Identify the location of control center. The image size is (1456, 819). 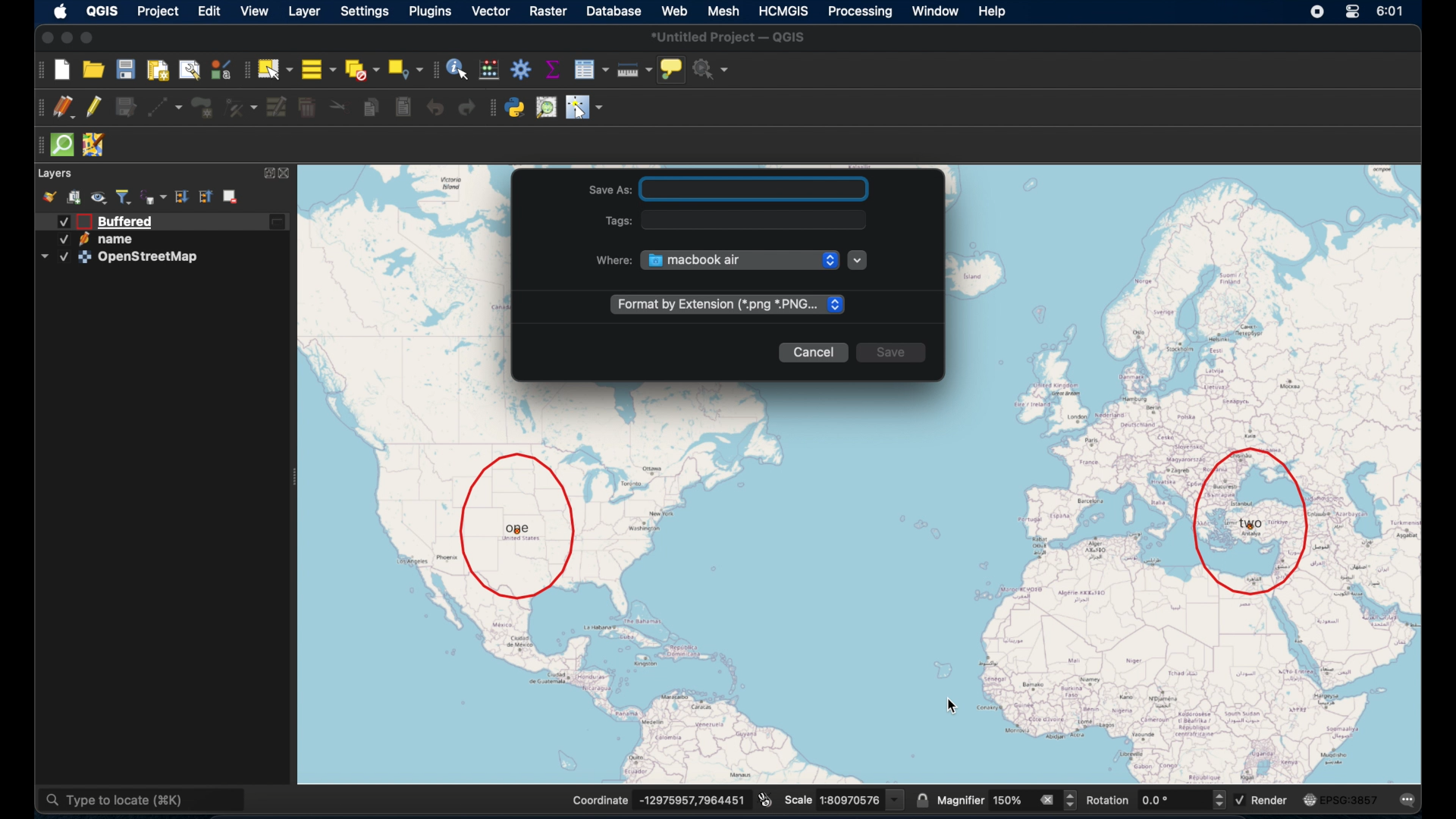
(1316, 11).